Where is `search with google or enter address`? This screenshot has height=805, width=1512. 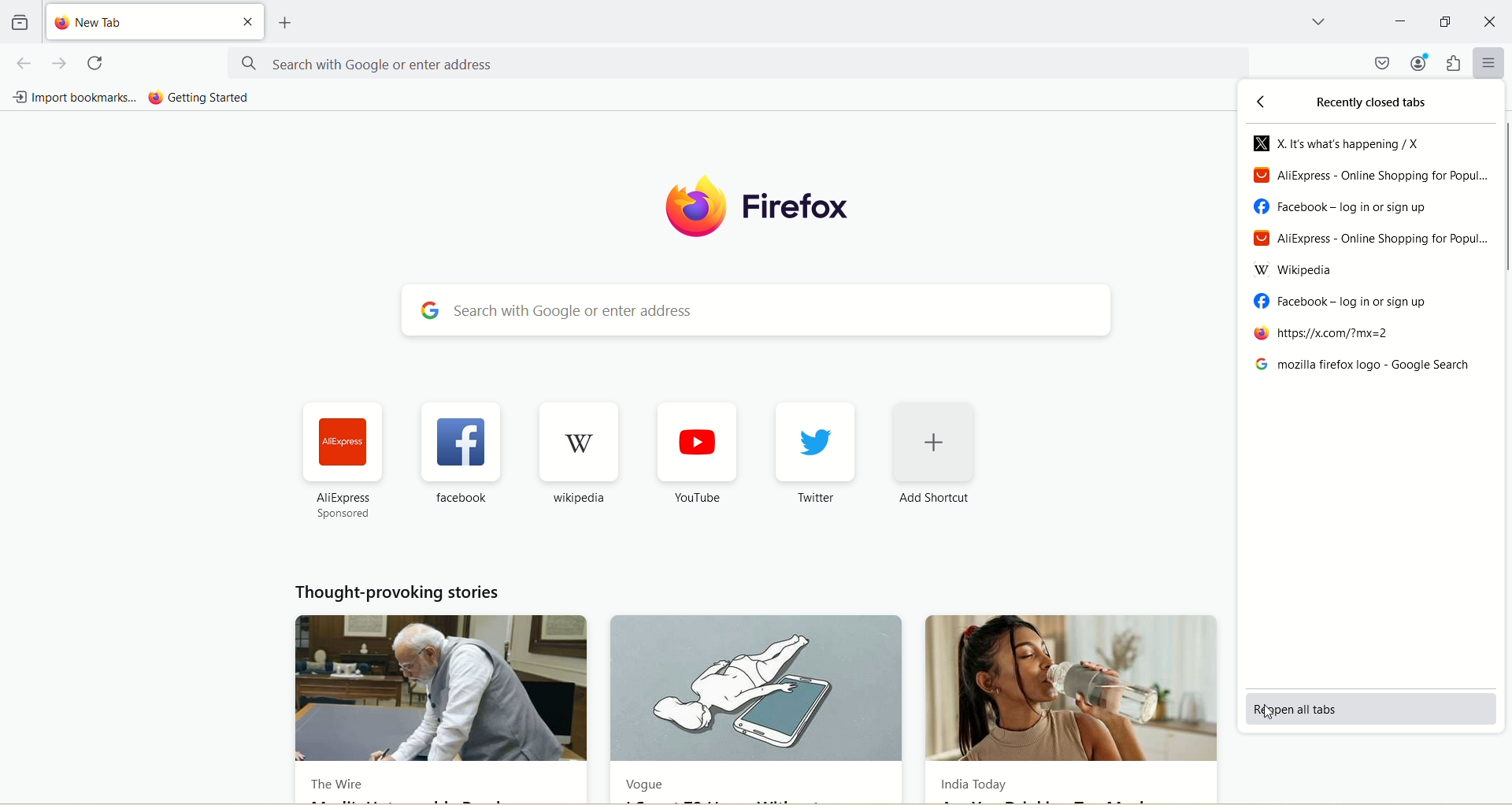
search with google or enter address is located at coordinates (754, 309).